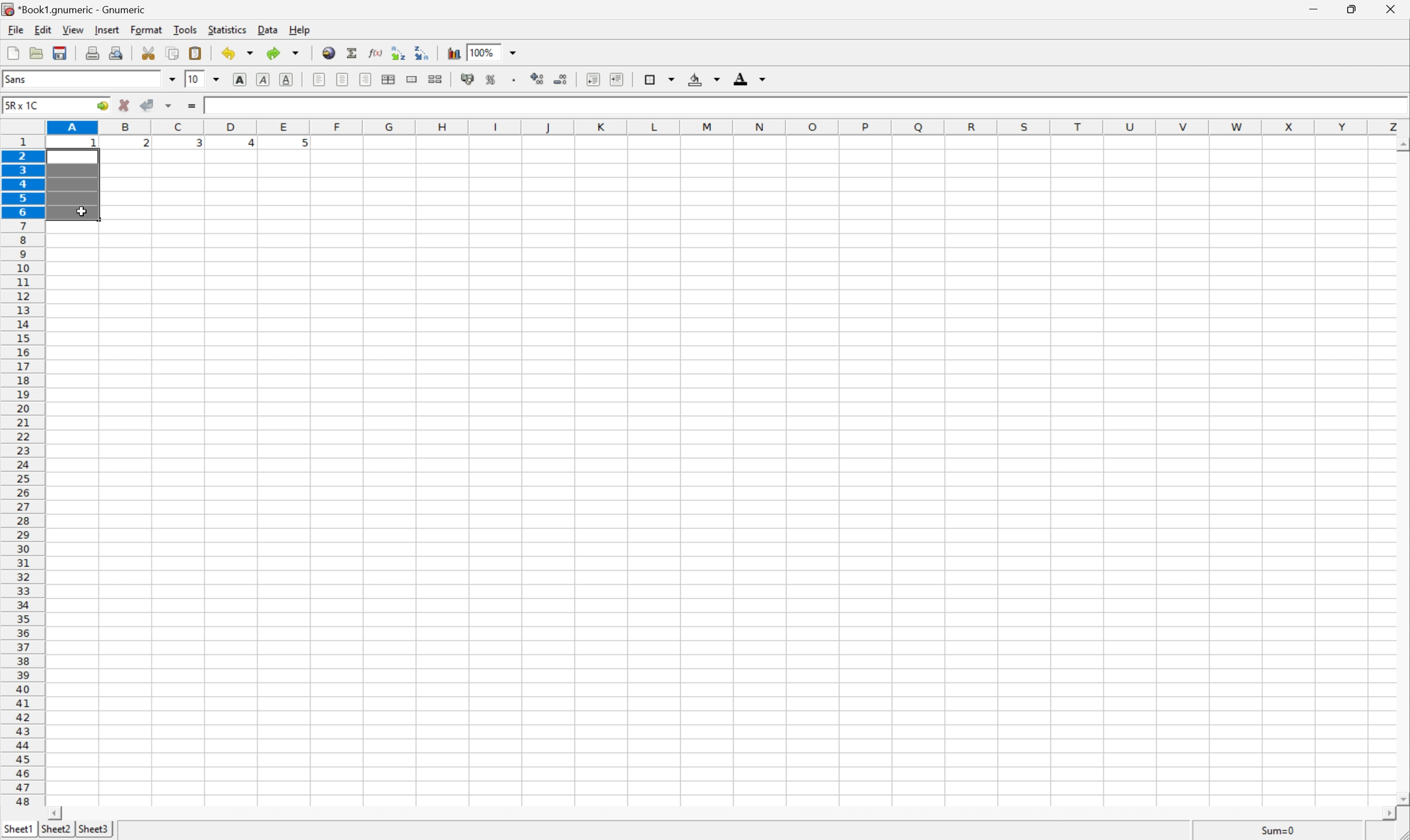 Image resolution: width=1410 pixels, height=840 pixels. I want to click on sheet1, so click(17, 832).